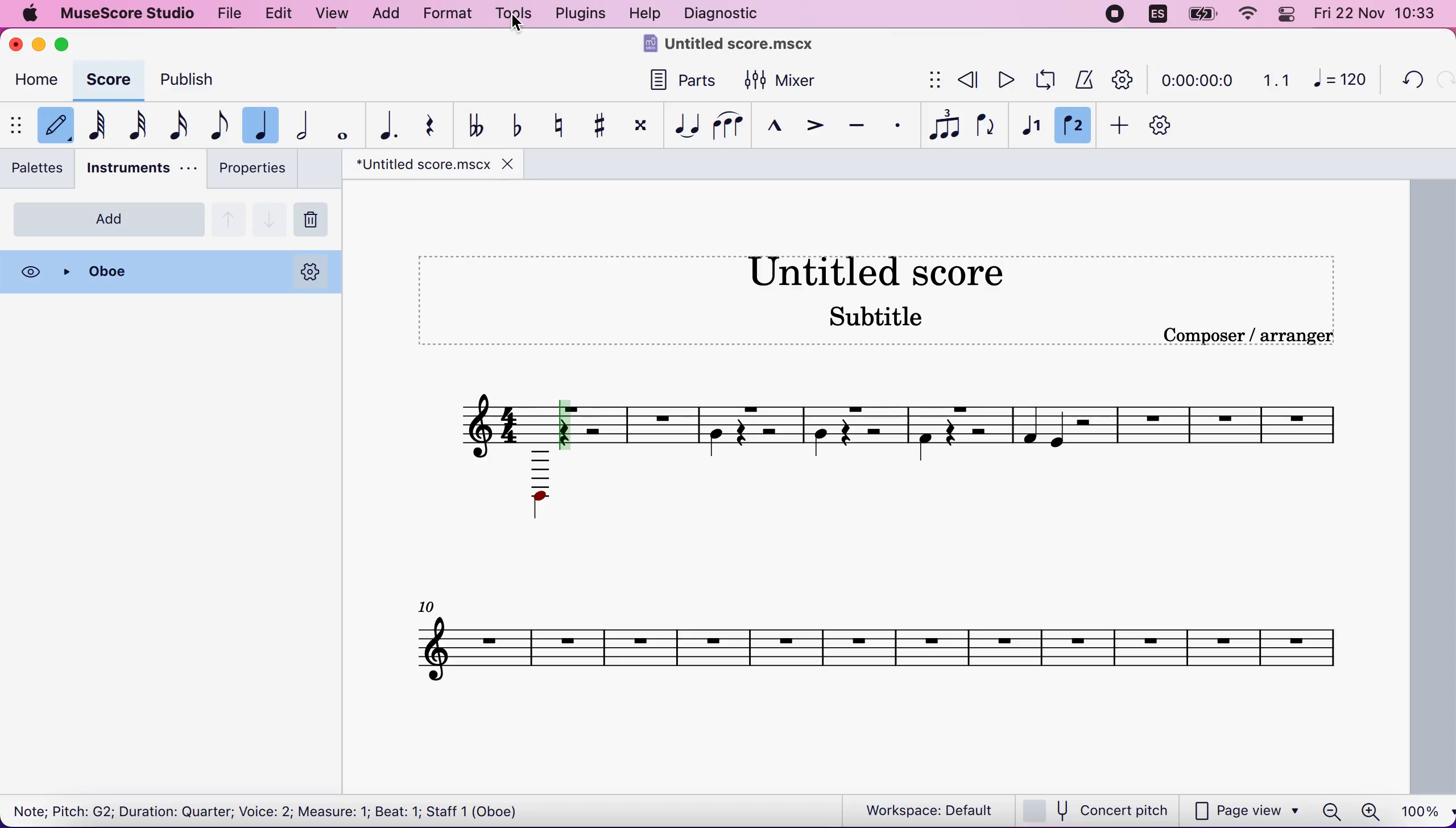 The width and height of the screenshot is (1456, 828). What do you see at coordinates (30, 273) in the screenshot?
I see `visibility` at bounding box center [30, 273].